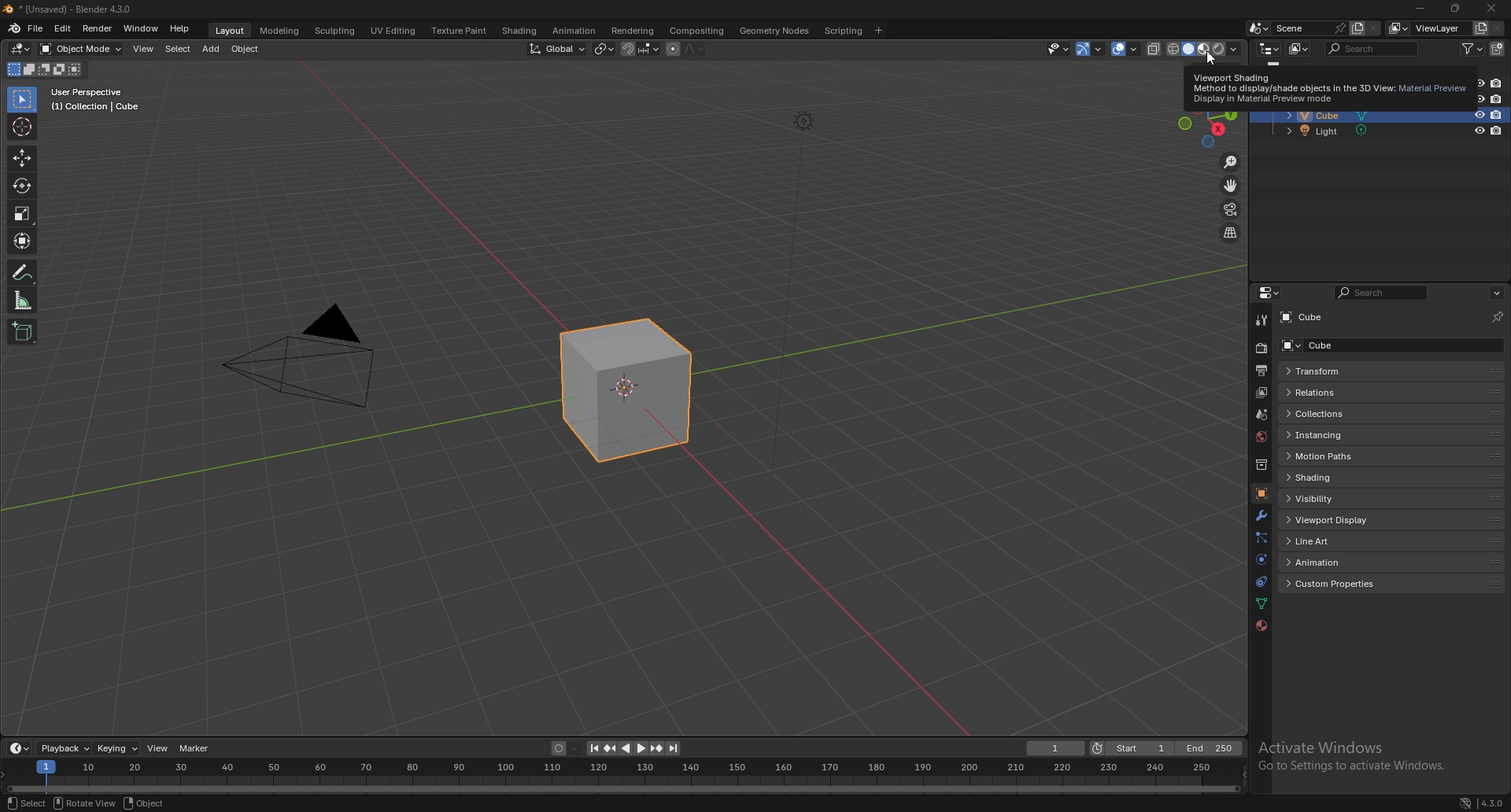  Describe the element at coordinates (21, 331) in the screenshot. I see `add cube` at that location.